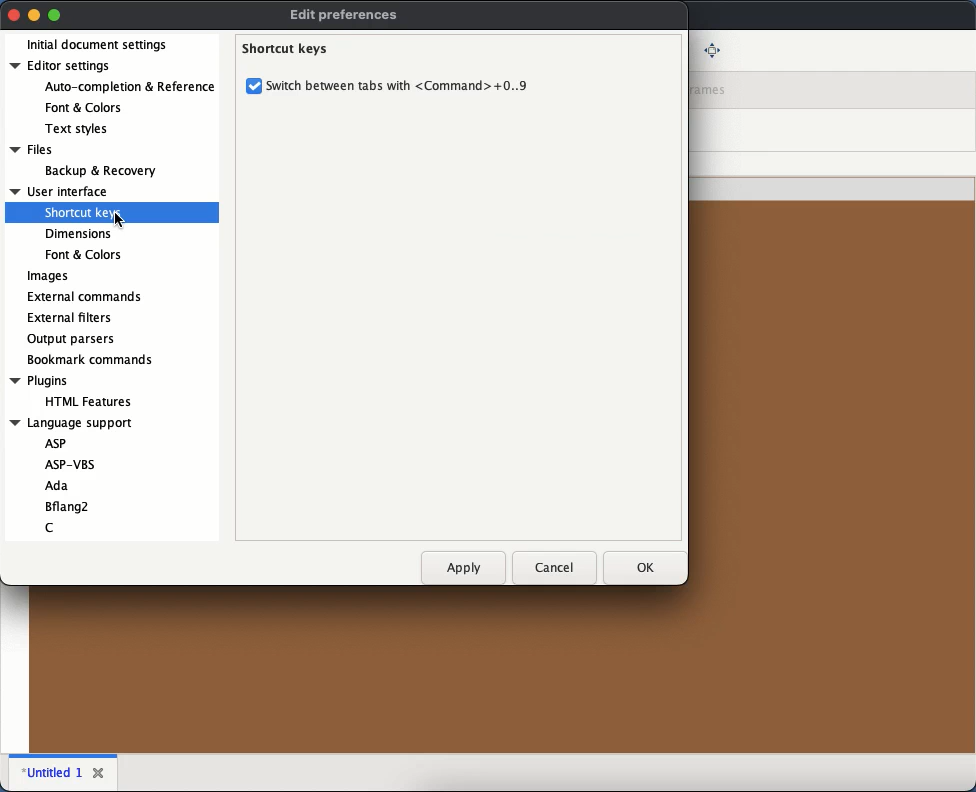  Describe the element at coordinates (99, 769) in the screenshot. I see `close` at that location.